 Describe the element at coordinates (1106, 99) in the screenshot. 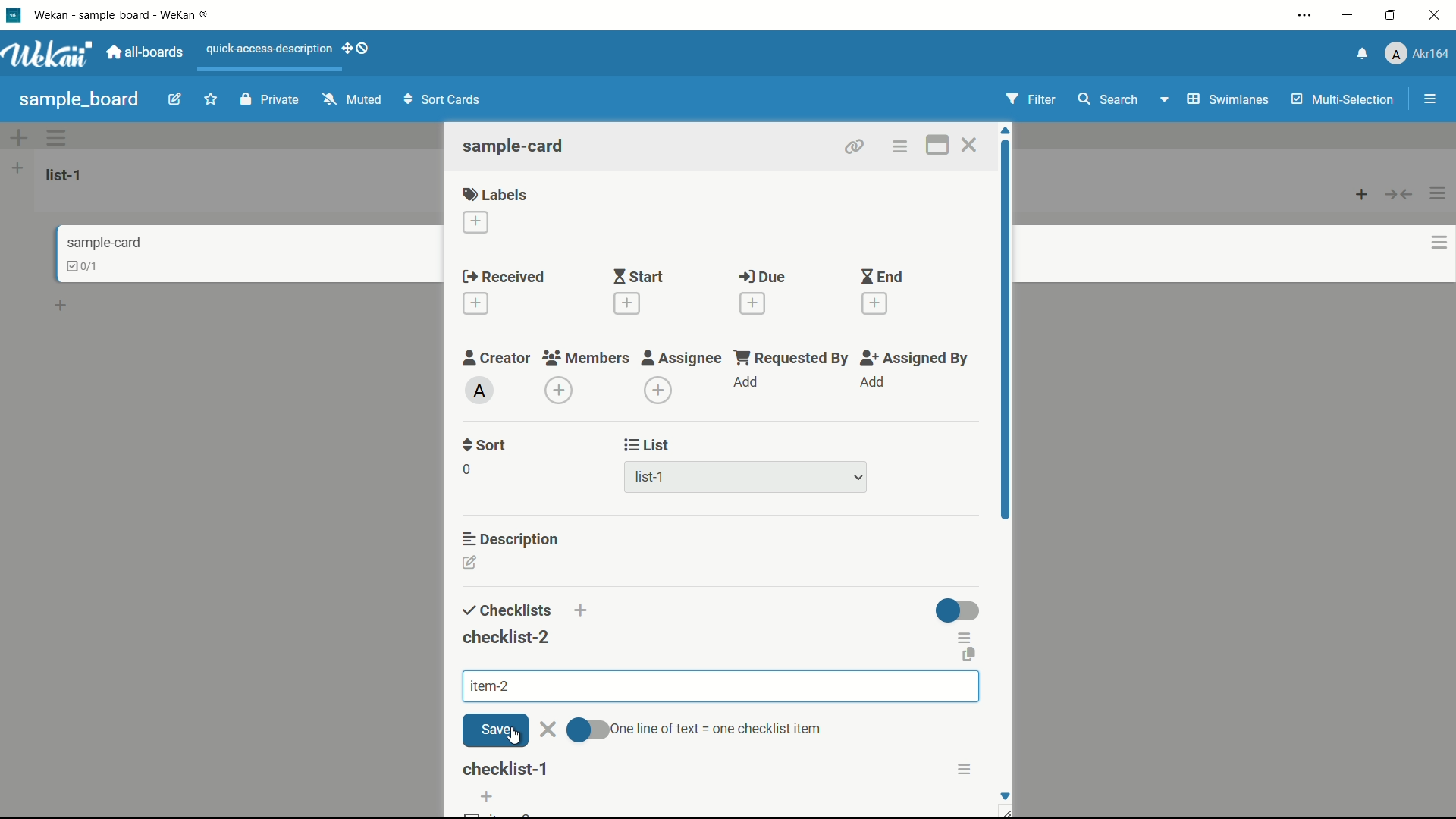

I see `search` at that location.